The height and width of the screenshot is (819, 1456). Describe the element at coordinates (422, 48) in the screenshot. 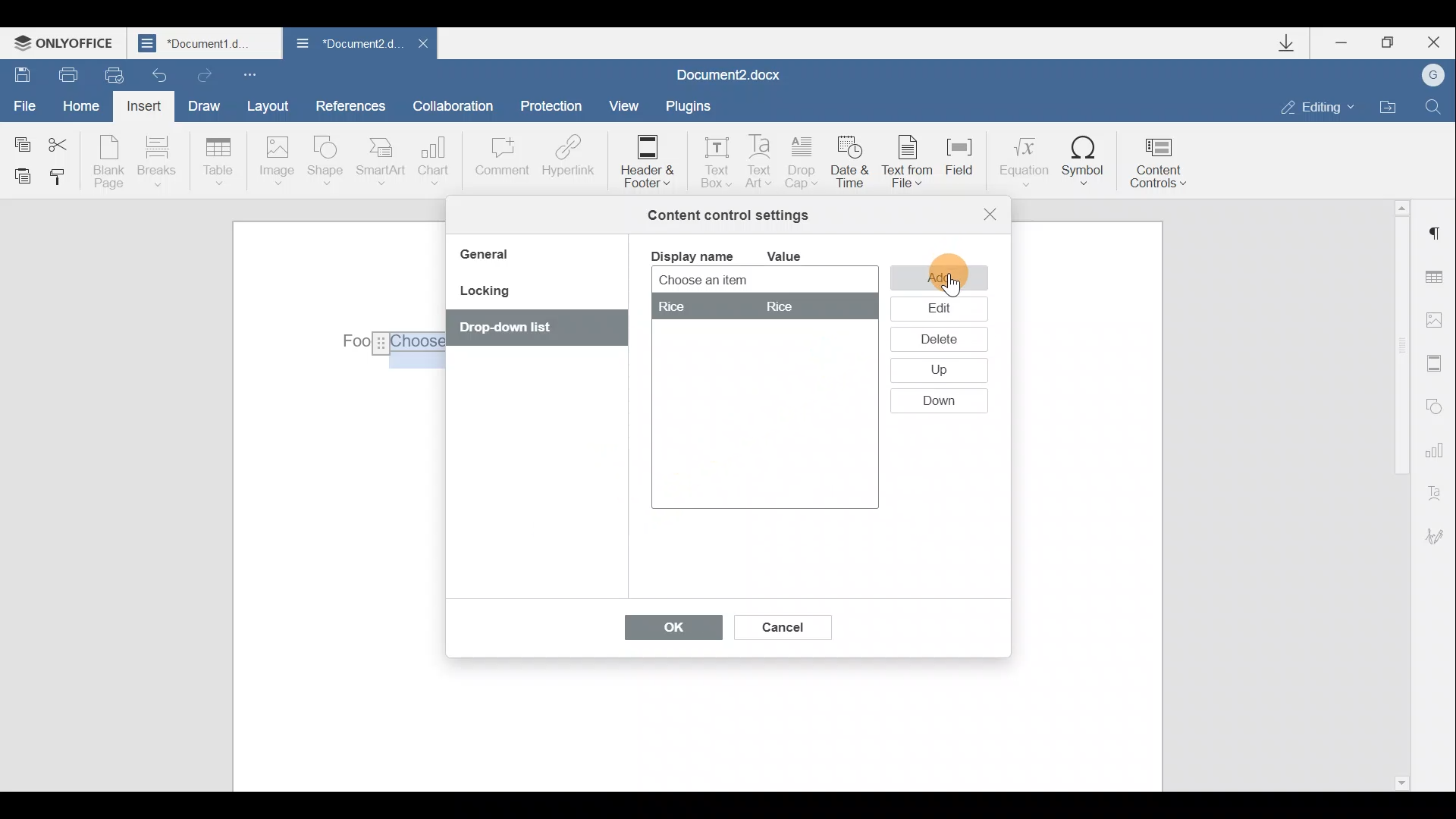

I see `Close` at that location.